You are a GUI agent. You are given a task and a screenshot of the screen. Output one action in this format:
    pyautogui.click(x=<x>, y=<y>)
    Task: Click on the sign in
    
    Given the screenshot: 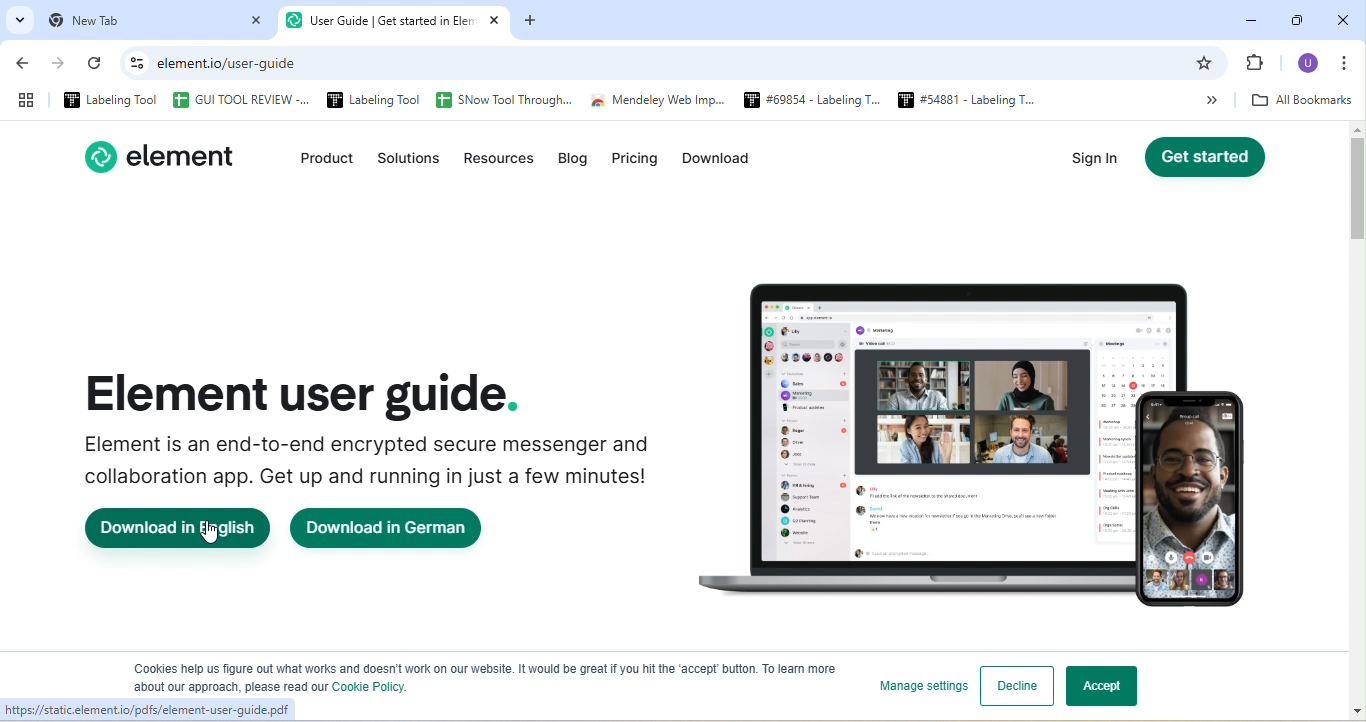 What is the action you would take?
    pyautogui.click(x=1101, y=161)
    